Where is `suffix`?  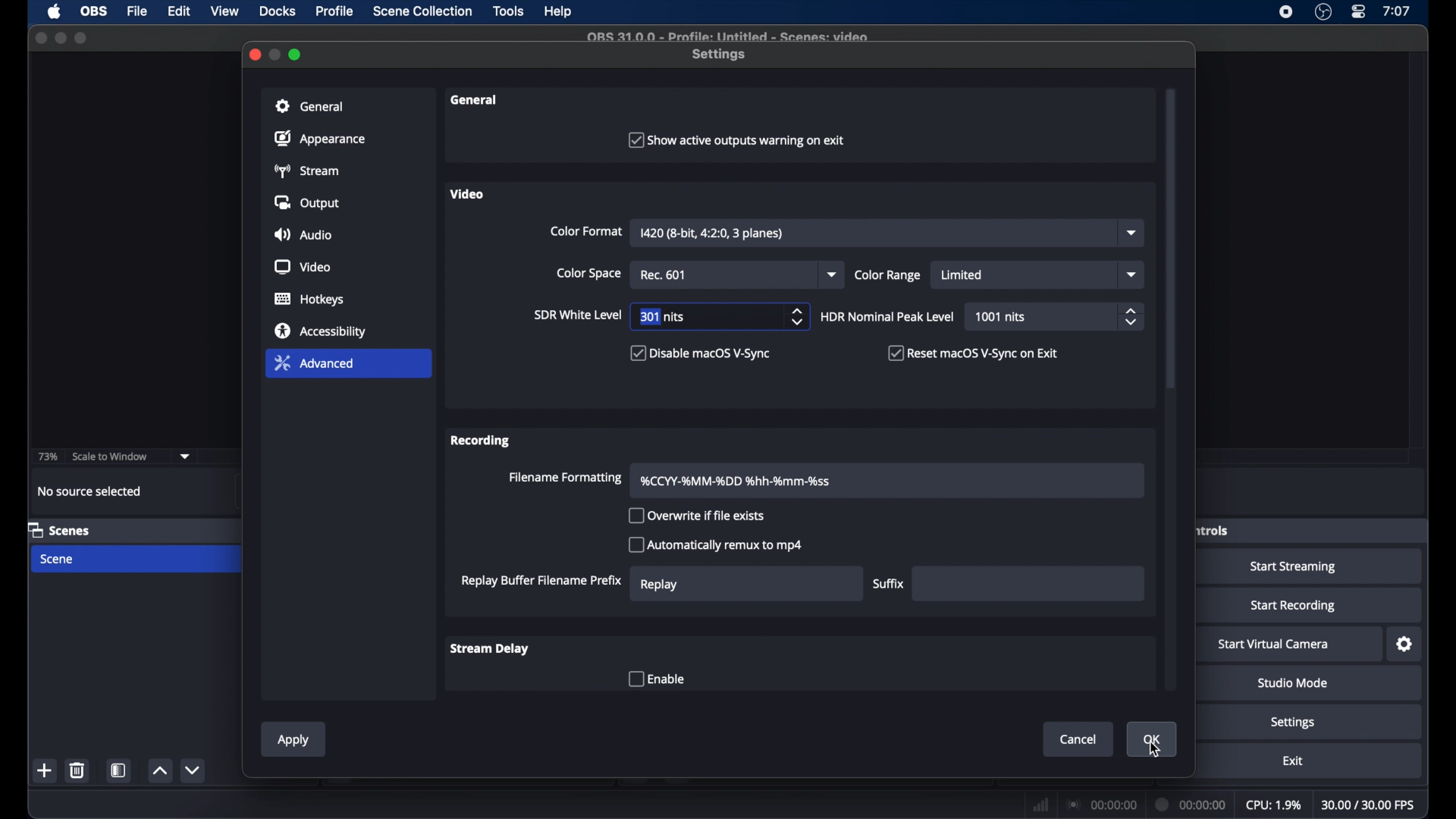 suffix is located at coordinates (890, 584).